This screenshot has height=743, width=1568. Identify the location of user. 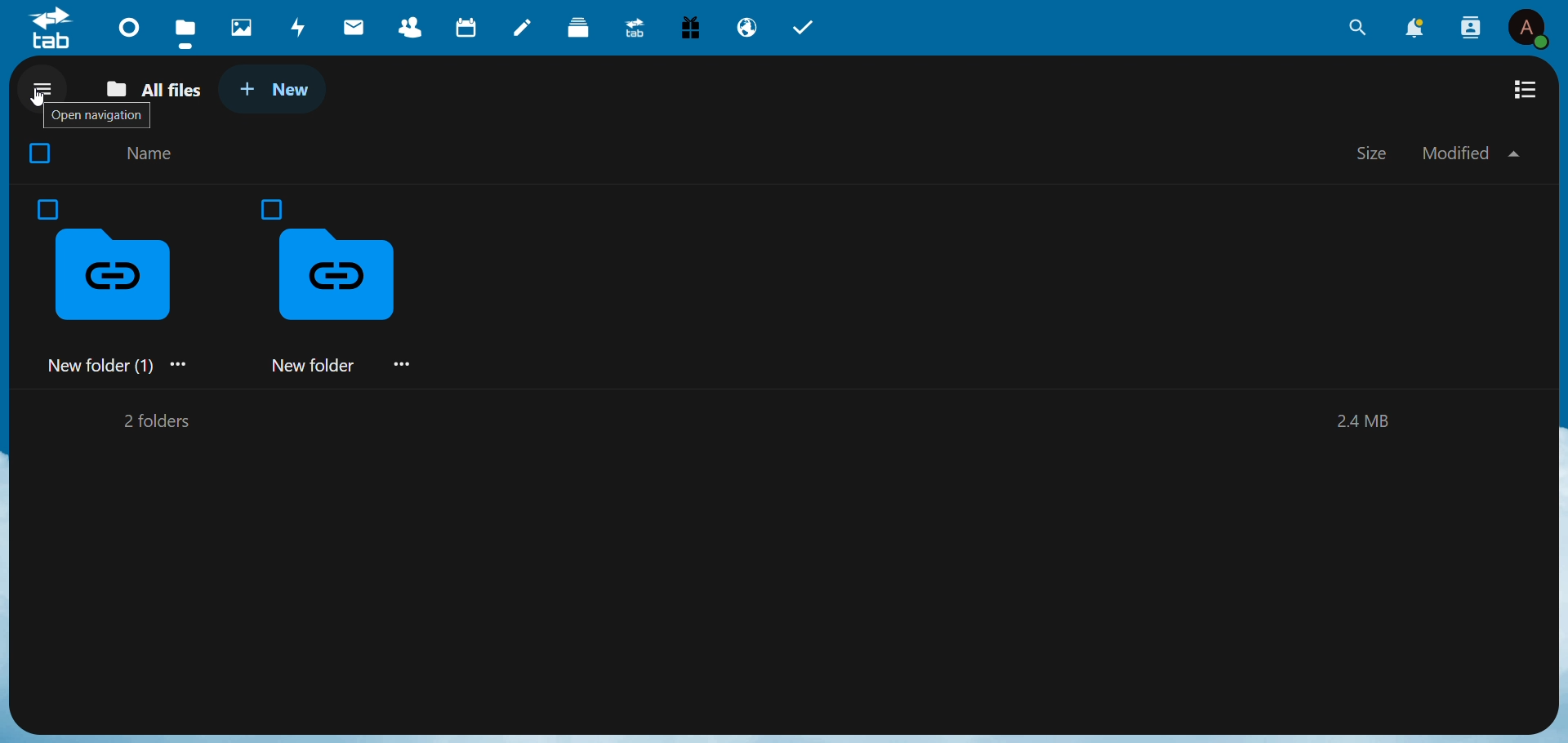
(1530, 28).